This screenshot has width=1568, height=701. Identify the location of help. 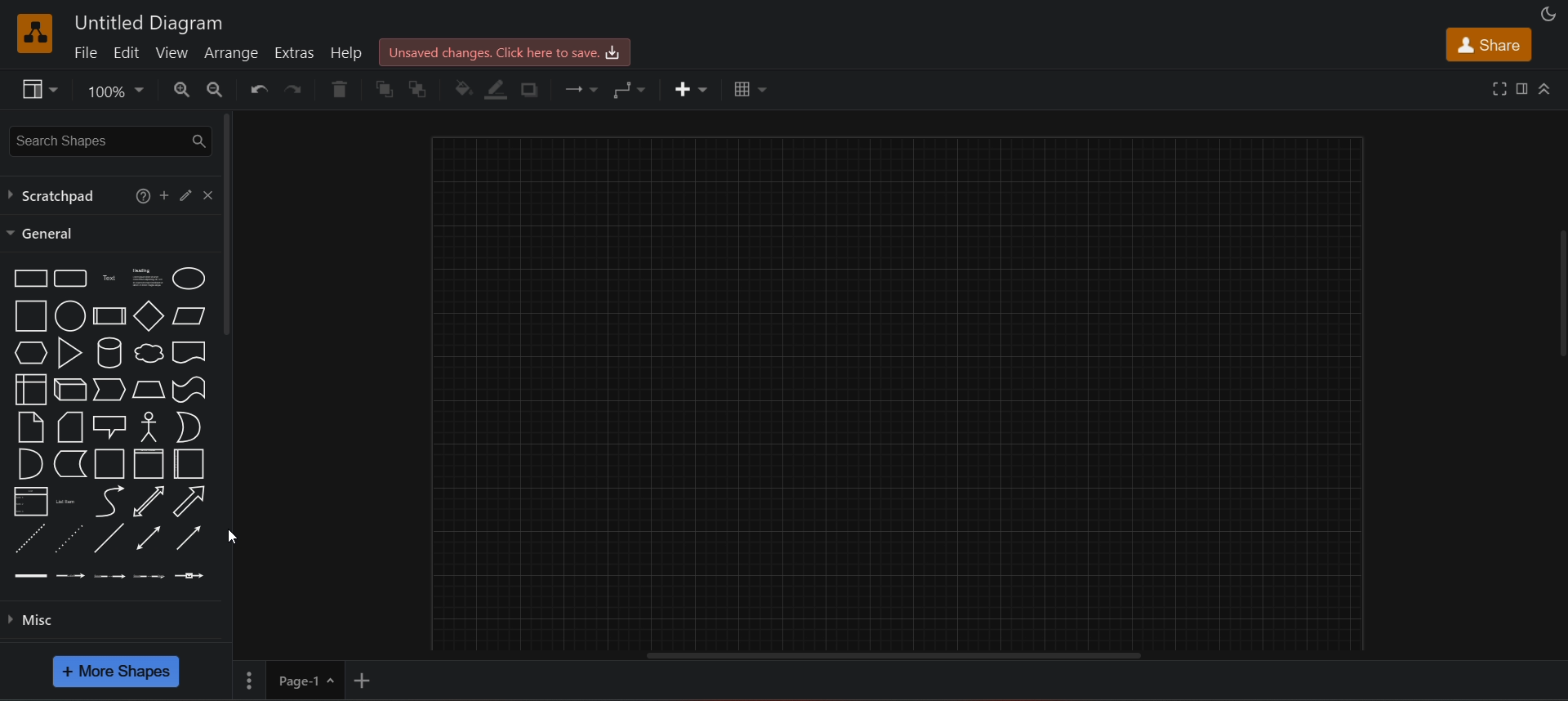
(346, 51).